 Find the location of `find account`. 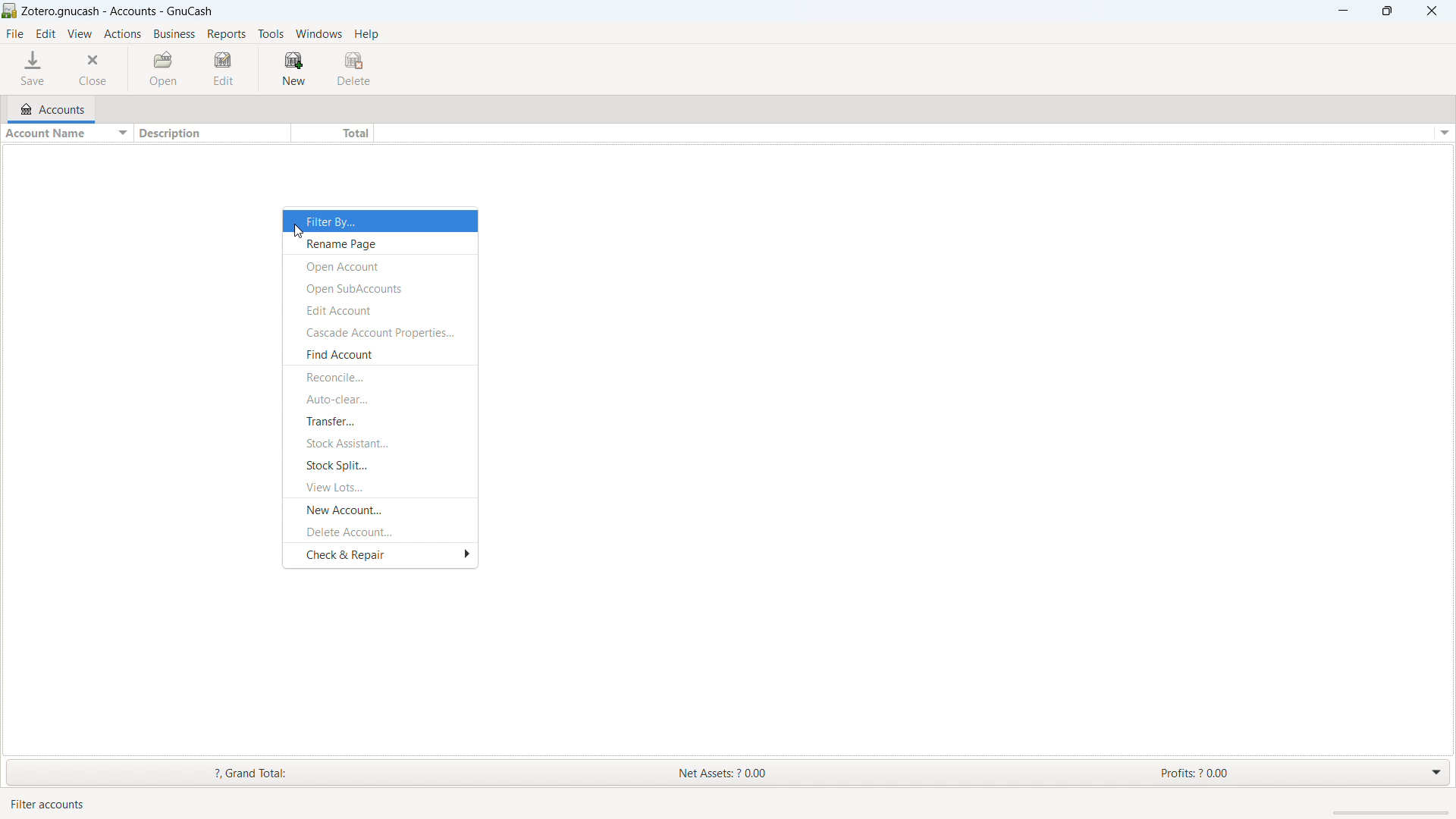

find account is located at coordinates (378, 355).